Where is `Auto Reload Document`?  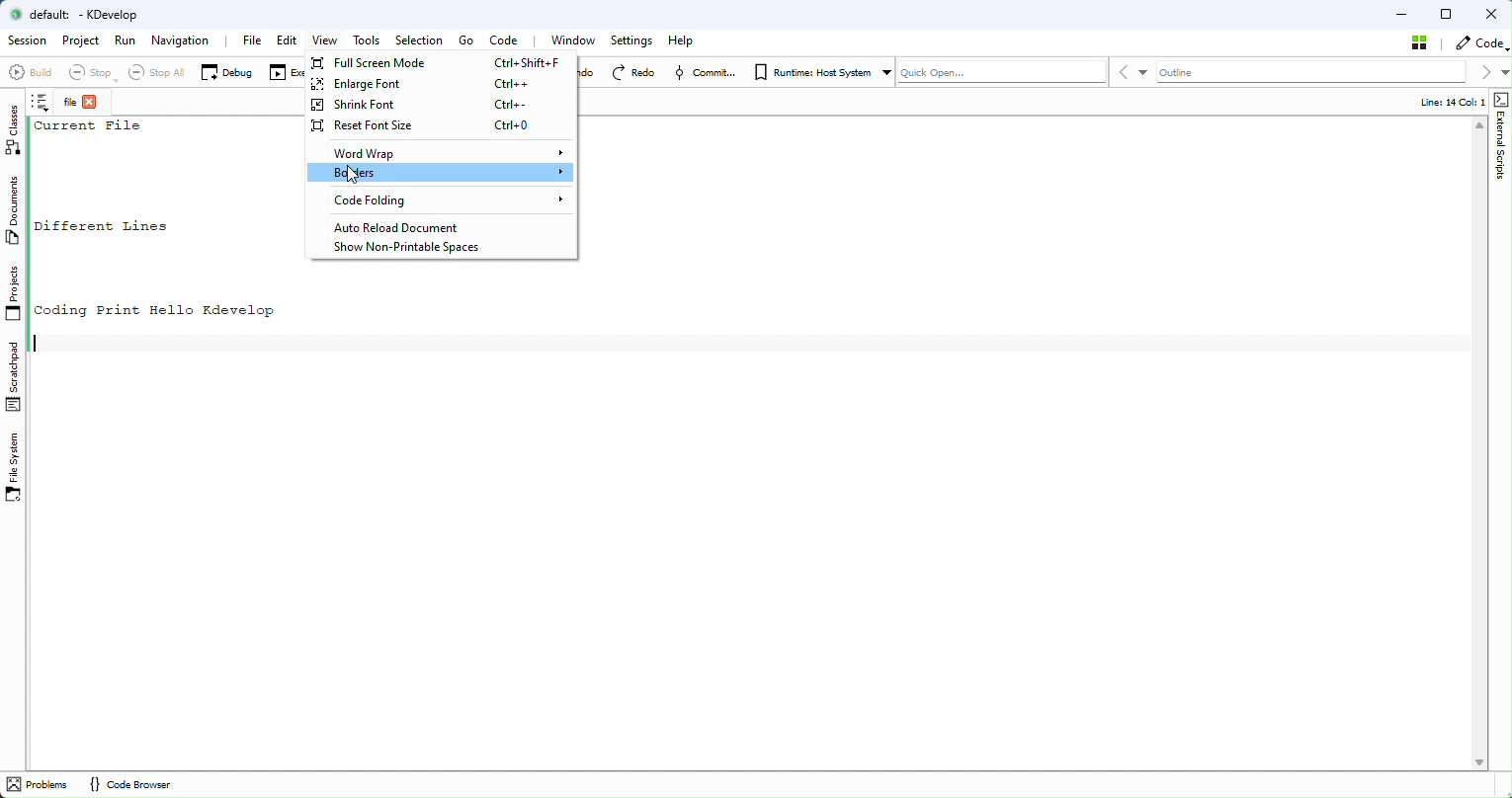
Auto Reload Document is located at coordinates (431, 227).